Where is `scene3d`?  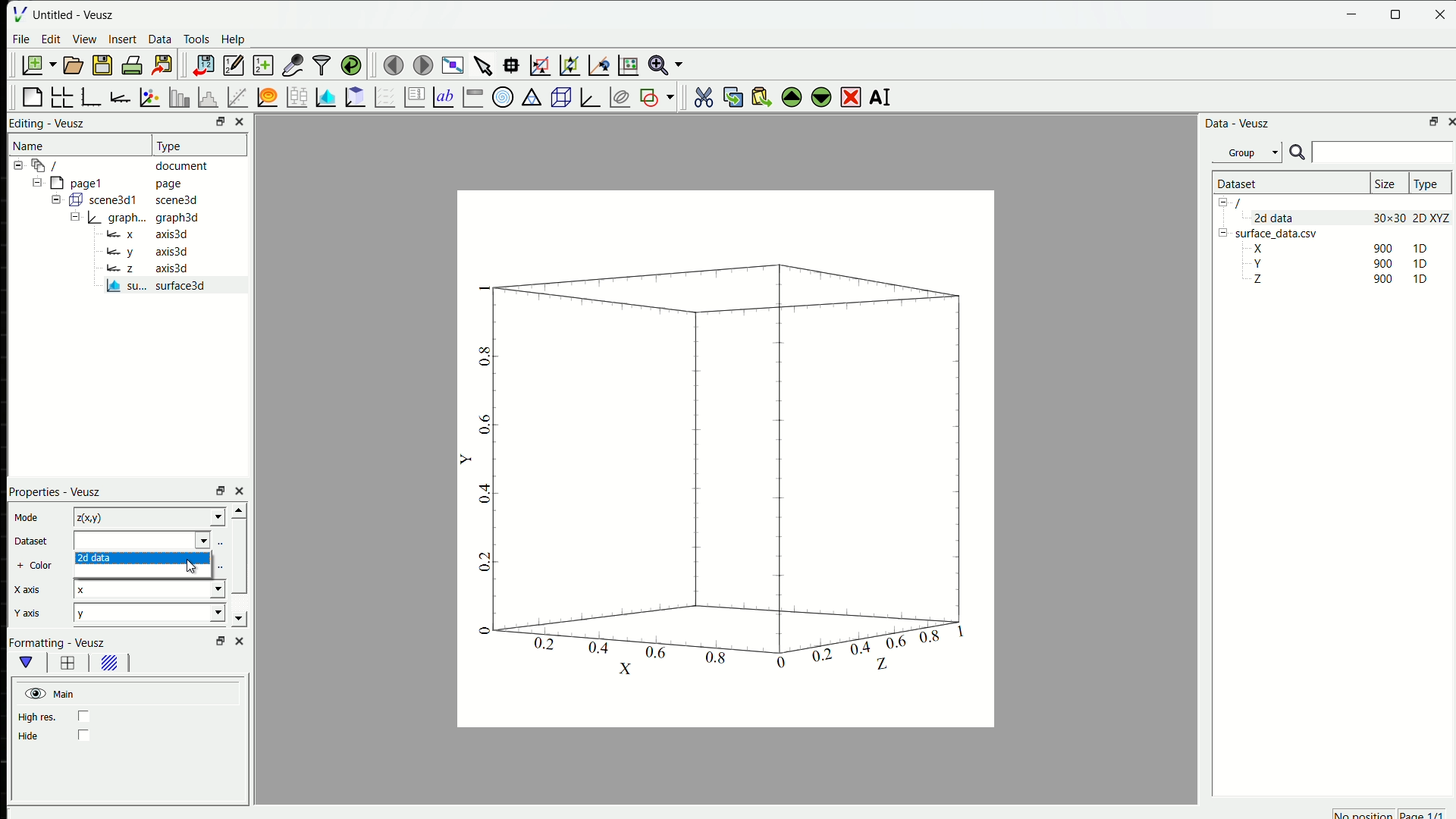
scene3d is located at coordinates (177, 201).